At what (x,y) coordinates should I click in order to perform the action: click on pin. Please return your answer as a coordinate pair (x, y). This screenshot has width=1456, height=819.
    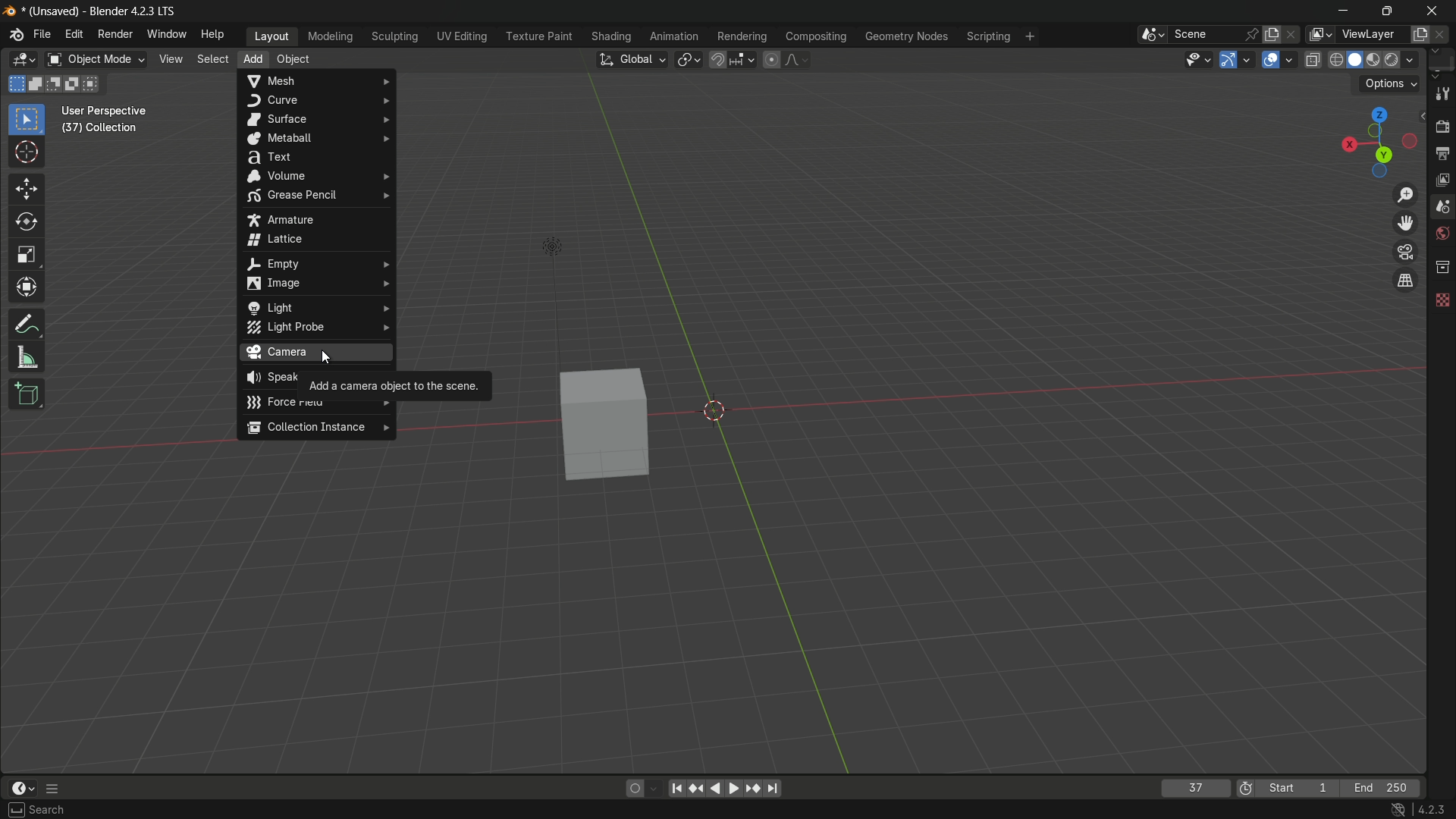
    Looking at the image, I should click on (1252, 36).